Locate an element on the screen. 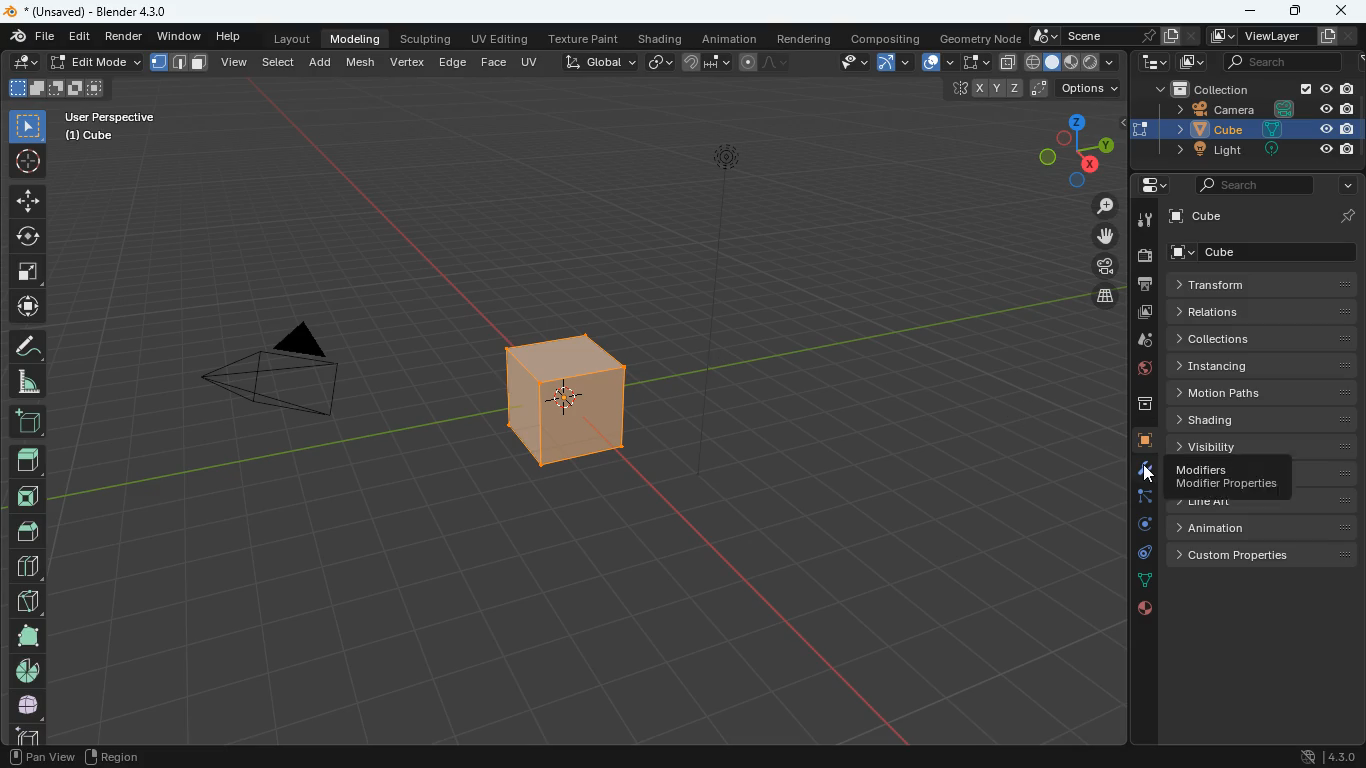  images is located at coordinates (1191, 61).